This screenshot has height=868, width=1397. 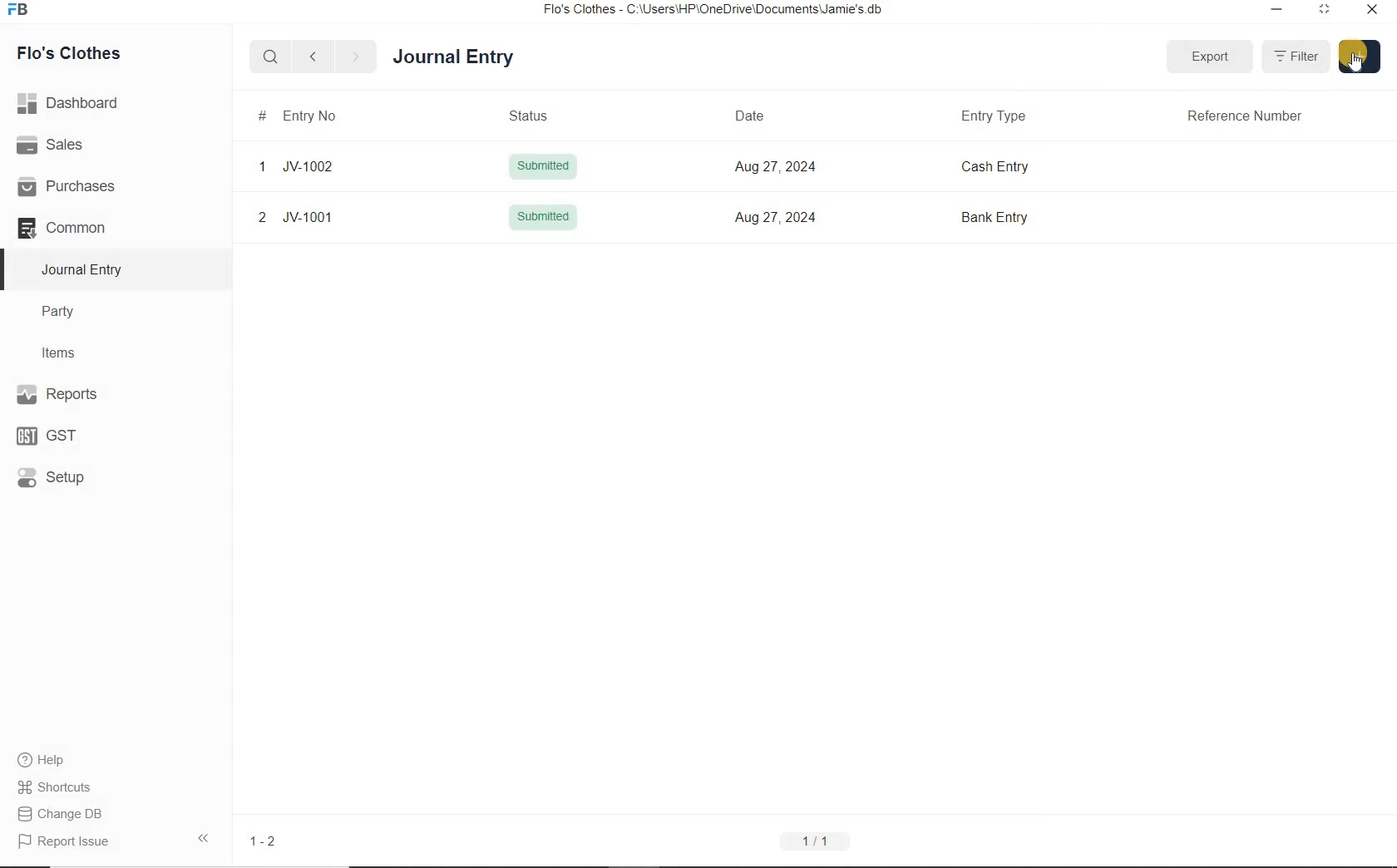 What do you see at coordinates (313, 56) in the screenshot?
I see `back` at bounding box center [313, 56].